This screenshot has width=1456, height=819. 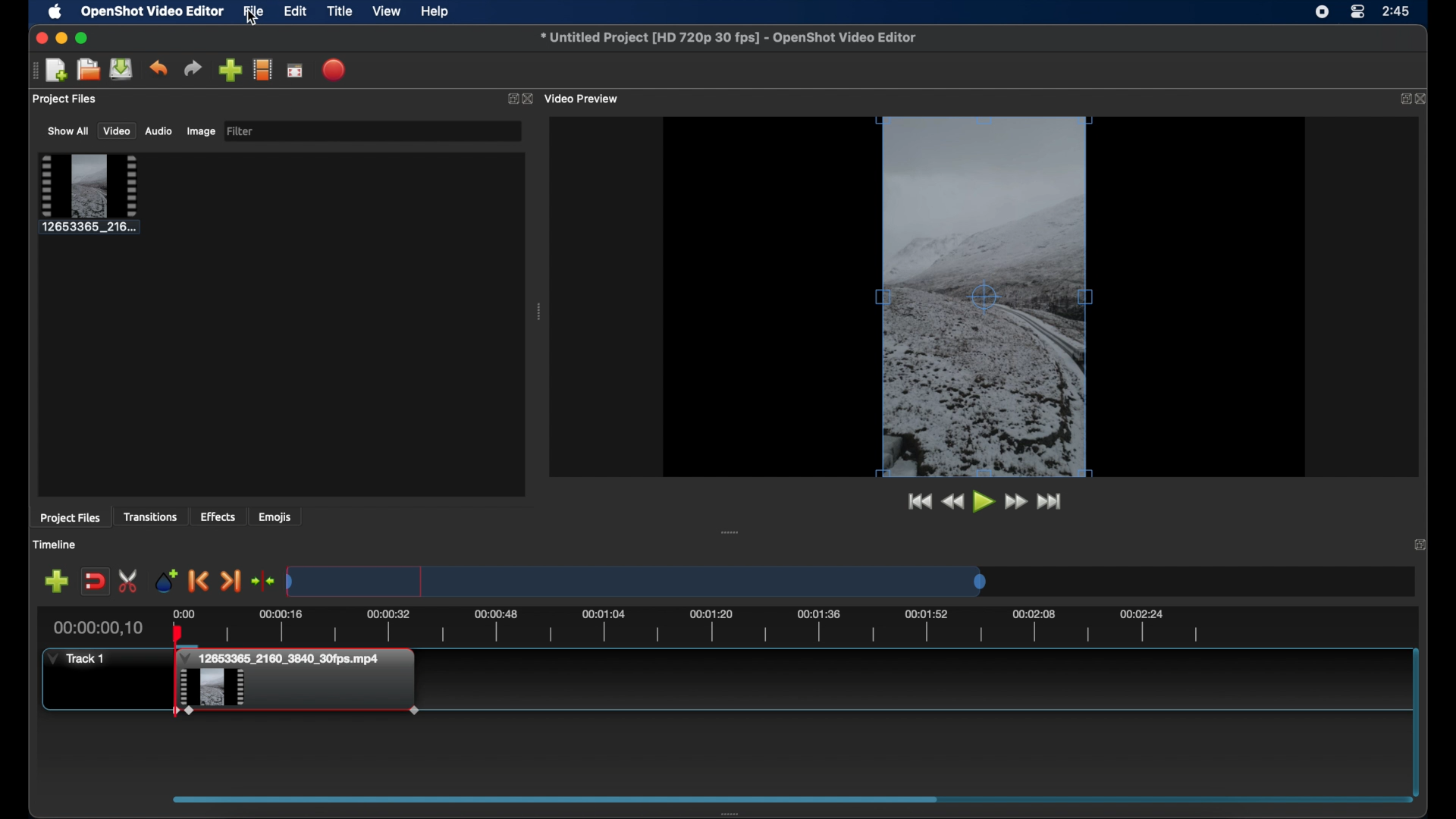 What do you see at coordinates (635, 580) in the screenshot?
I see `timeline scale` at bounding box center [635, 580].